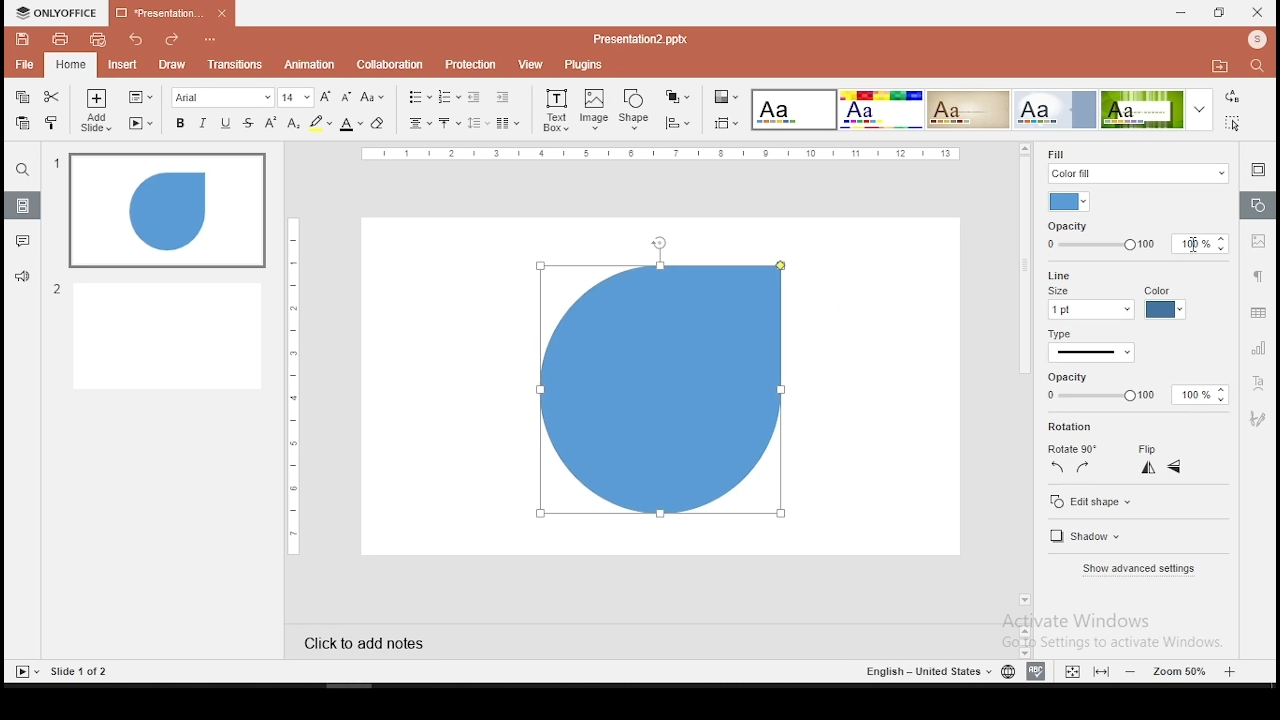  I want to click on rotate 90, so click(1071, 449).